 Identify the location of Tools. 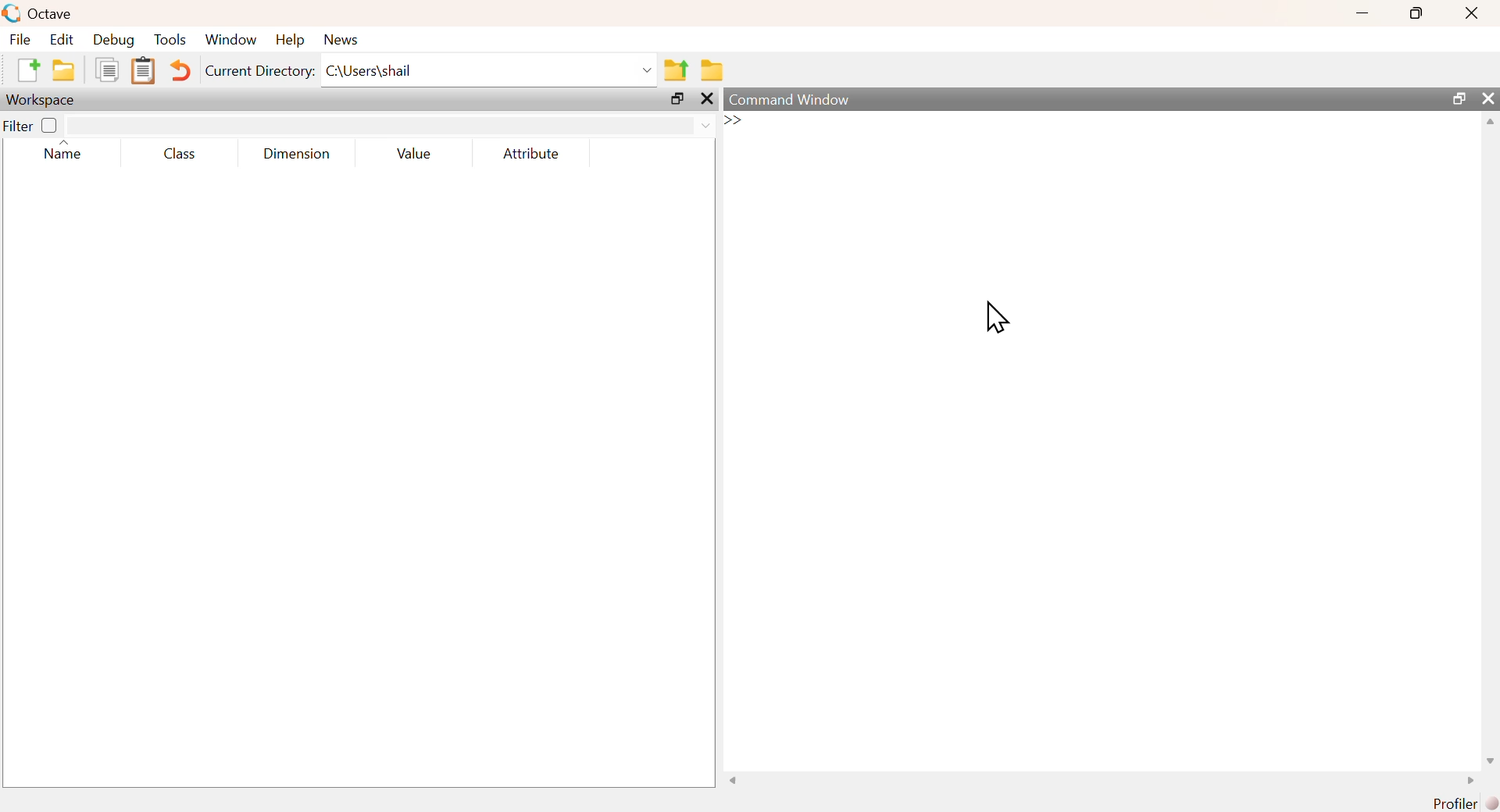
(171, 39).